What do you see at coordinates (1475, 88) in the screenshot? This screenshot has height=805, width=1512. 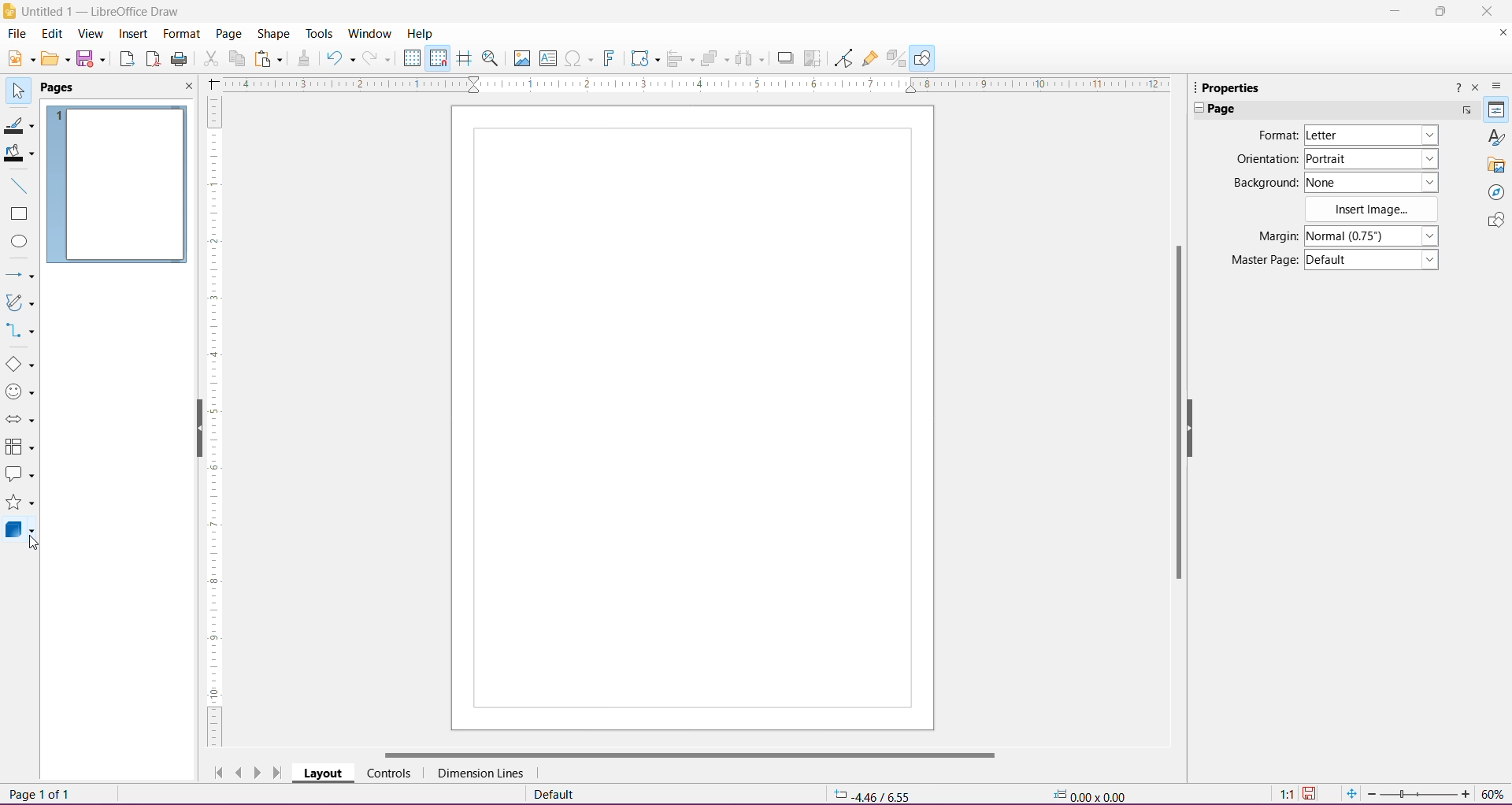 I see `Close Sidebar Deck` at bounding box center [1475, 88].